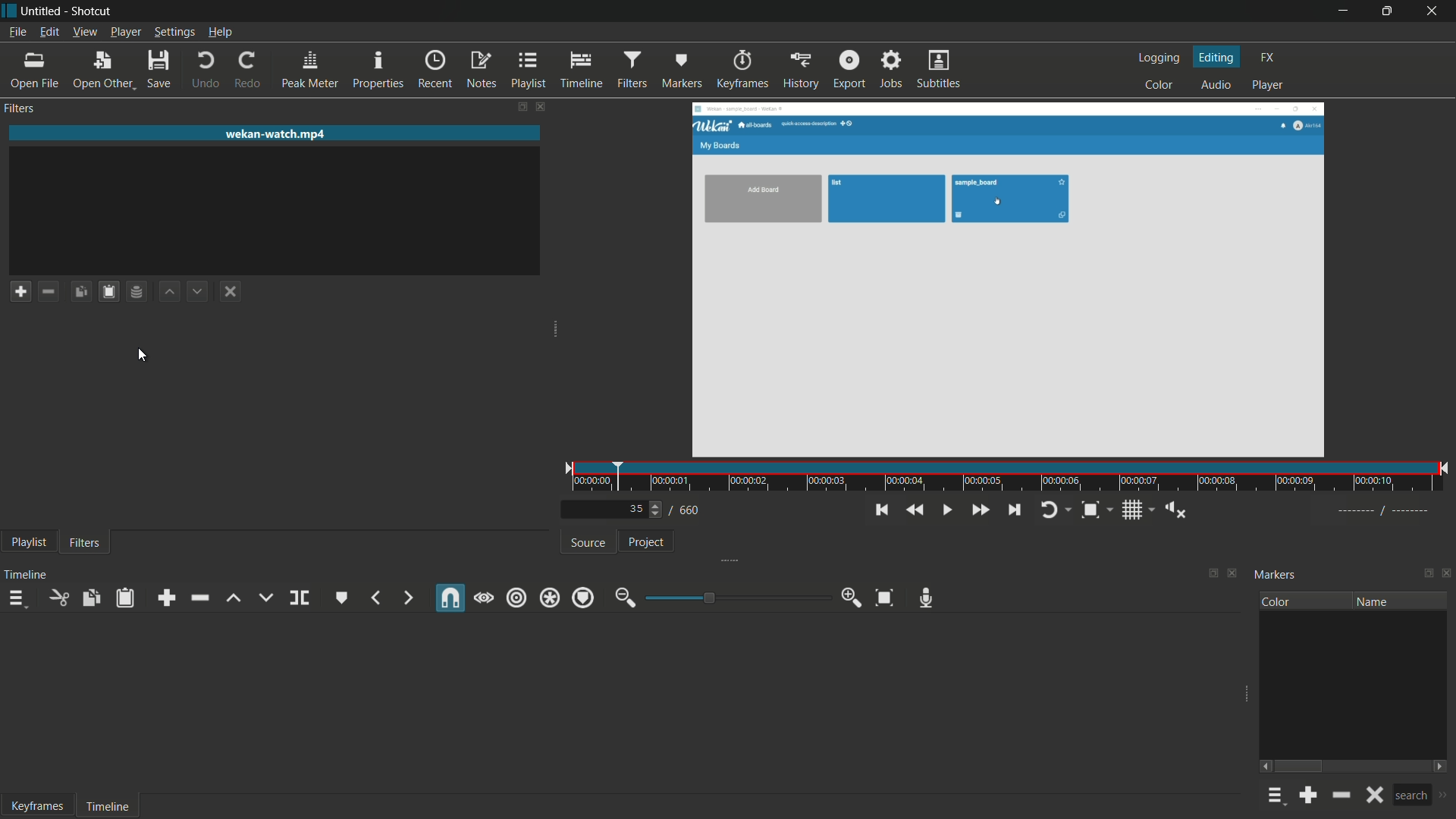 The width and height of the screenshot is (1456, 819). What do you see at coordinates (49, 32) in the screenshot?
I see `edit menu` at bounding box center [49, 32].